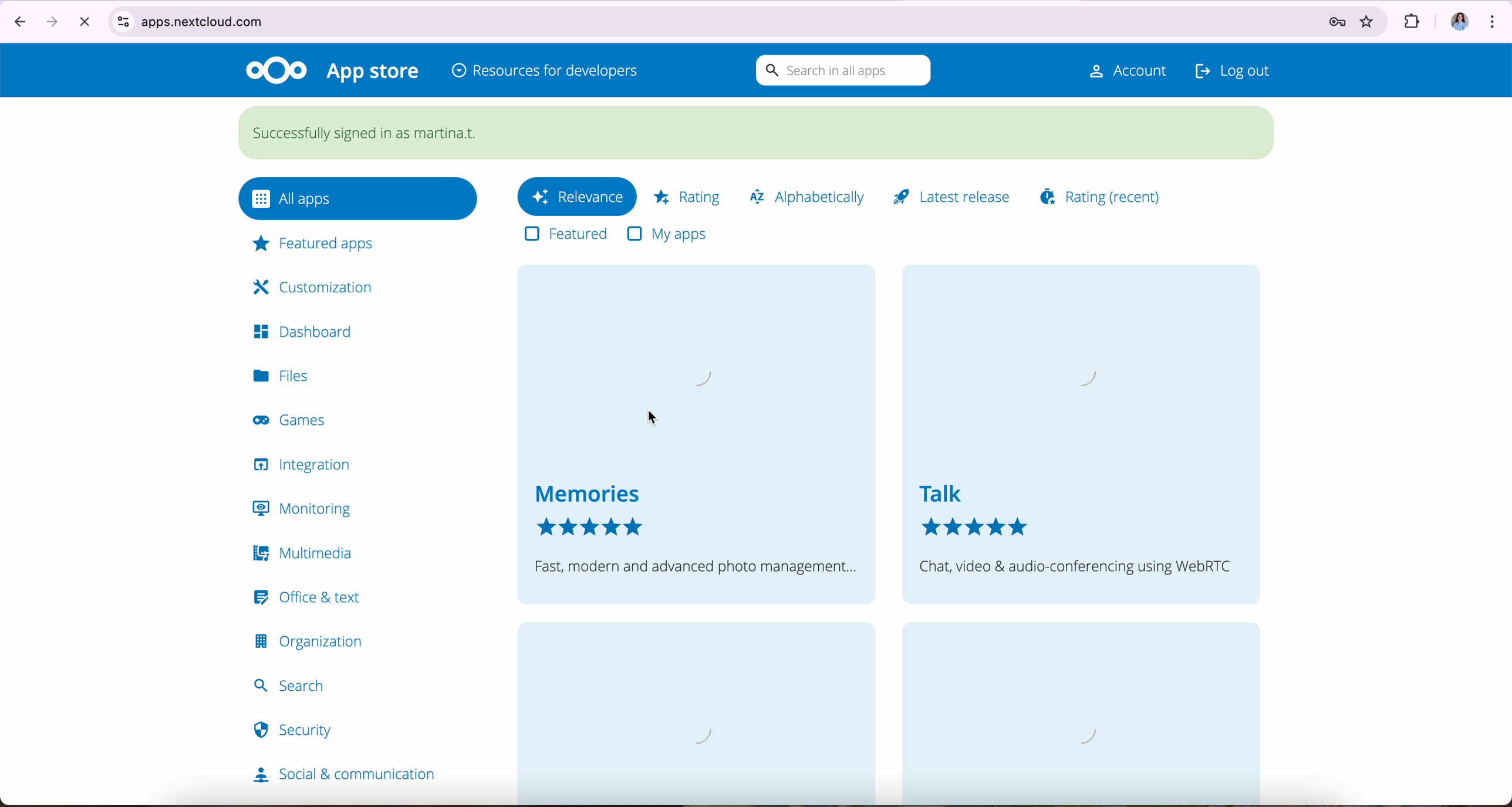 The image size is (1512, 807). I want to click on games, so click(292, 424).